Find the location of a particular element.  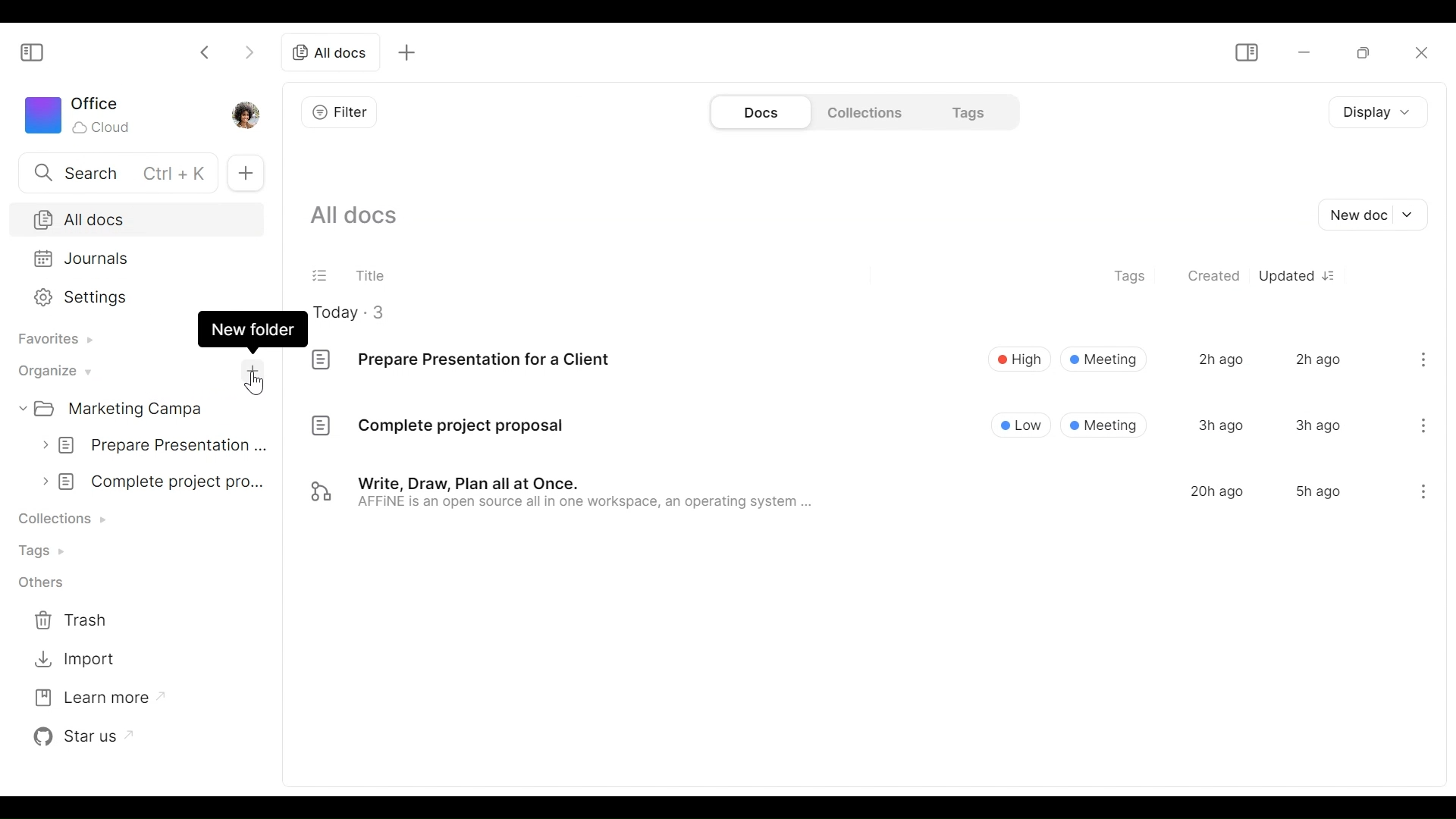

Show/Hide Sidebar is located at coordinates (33, 53).